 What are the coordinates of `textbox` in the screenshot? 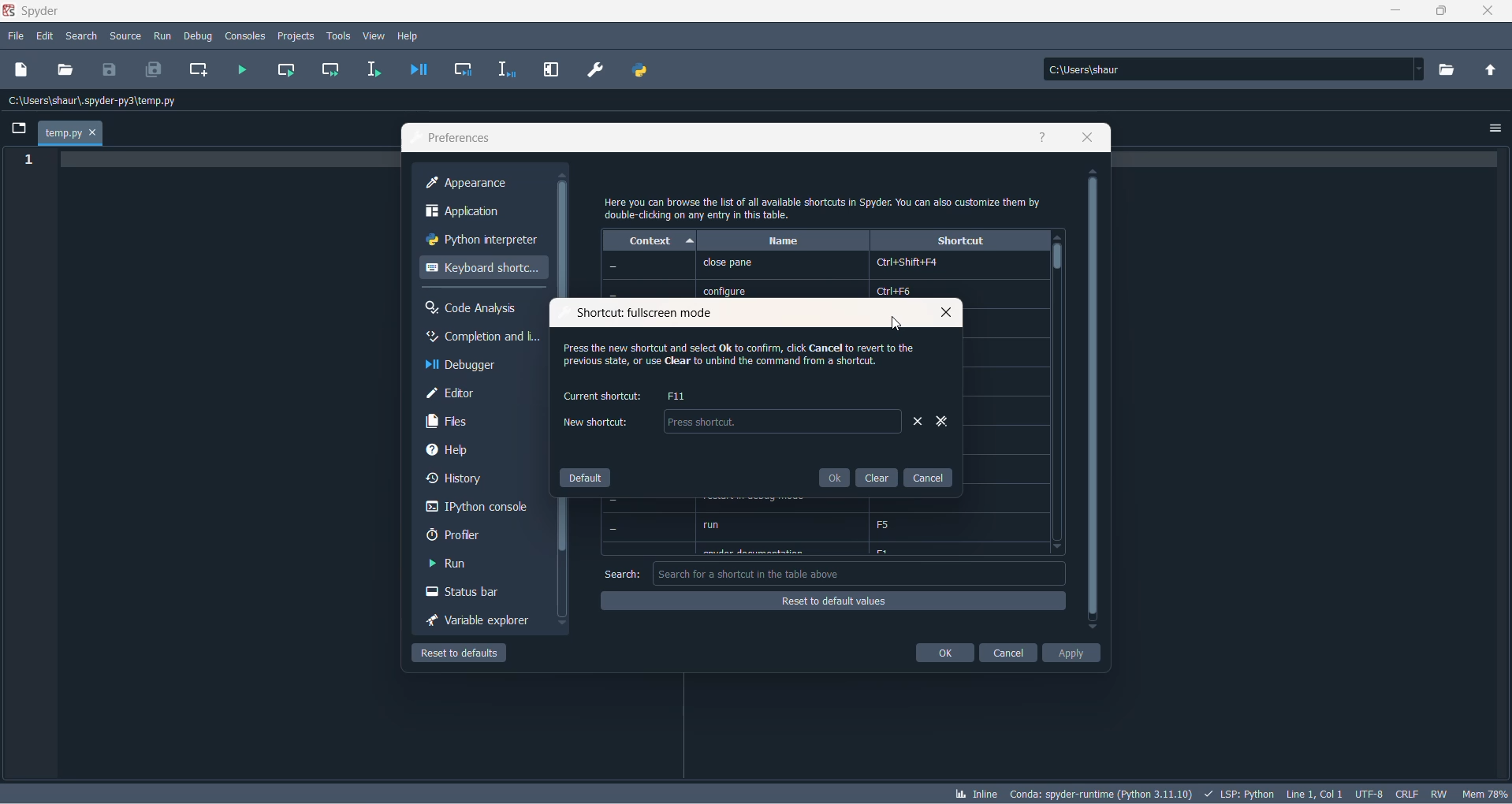 It's located at (782, 423).